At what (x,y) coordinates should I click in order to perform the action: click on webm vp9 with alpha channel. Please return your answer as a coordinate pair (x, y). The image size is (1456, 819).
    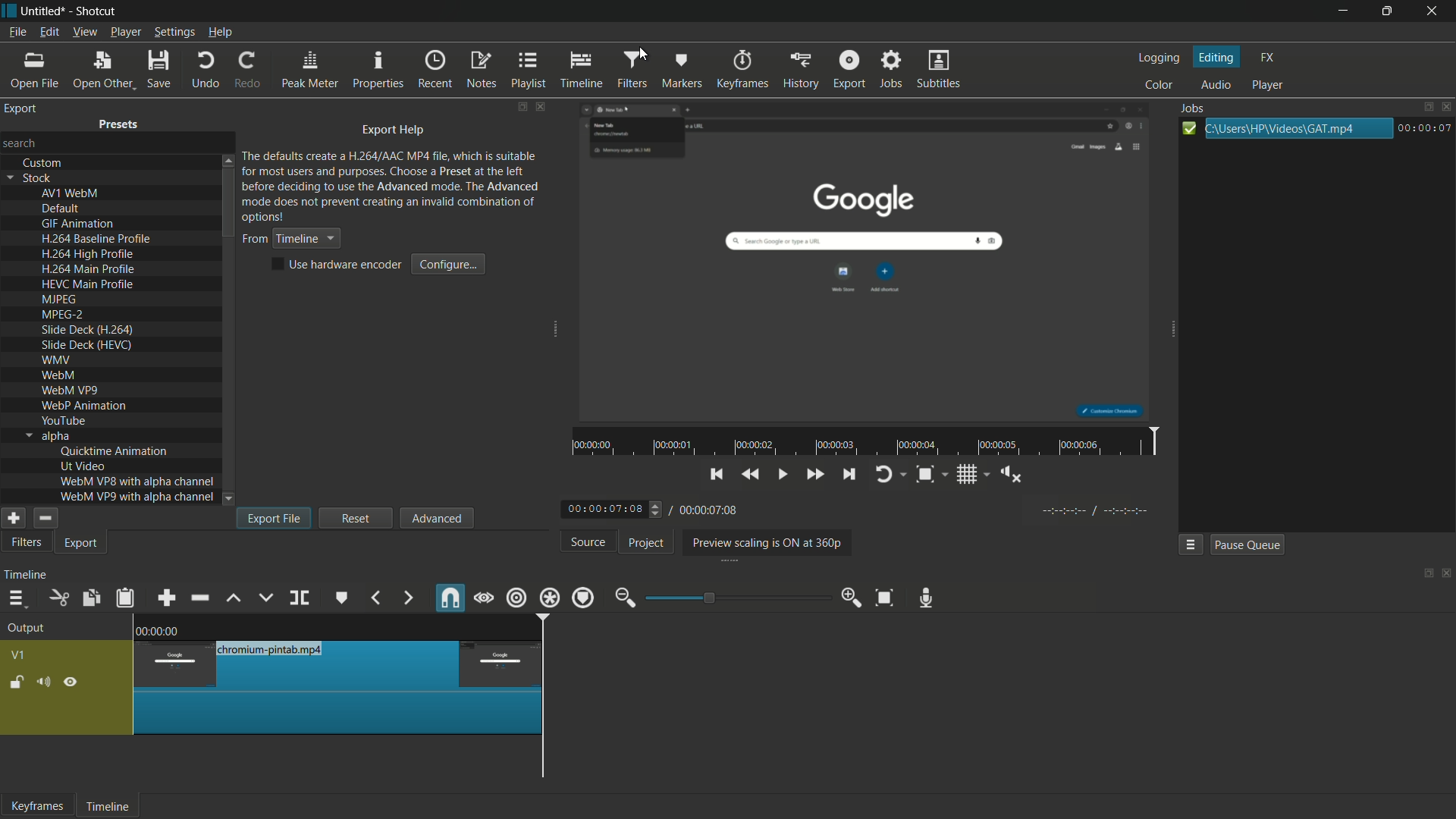
    Looking at the image, I should click on (133, 497).